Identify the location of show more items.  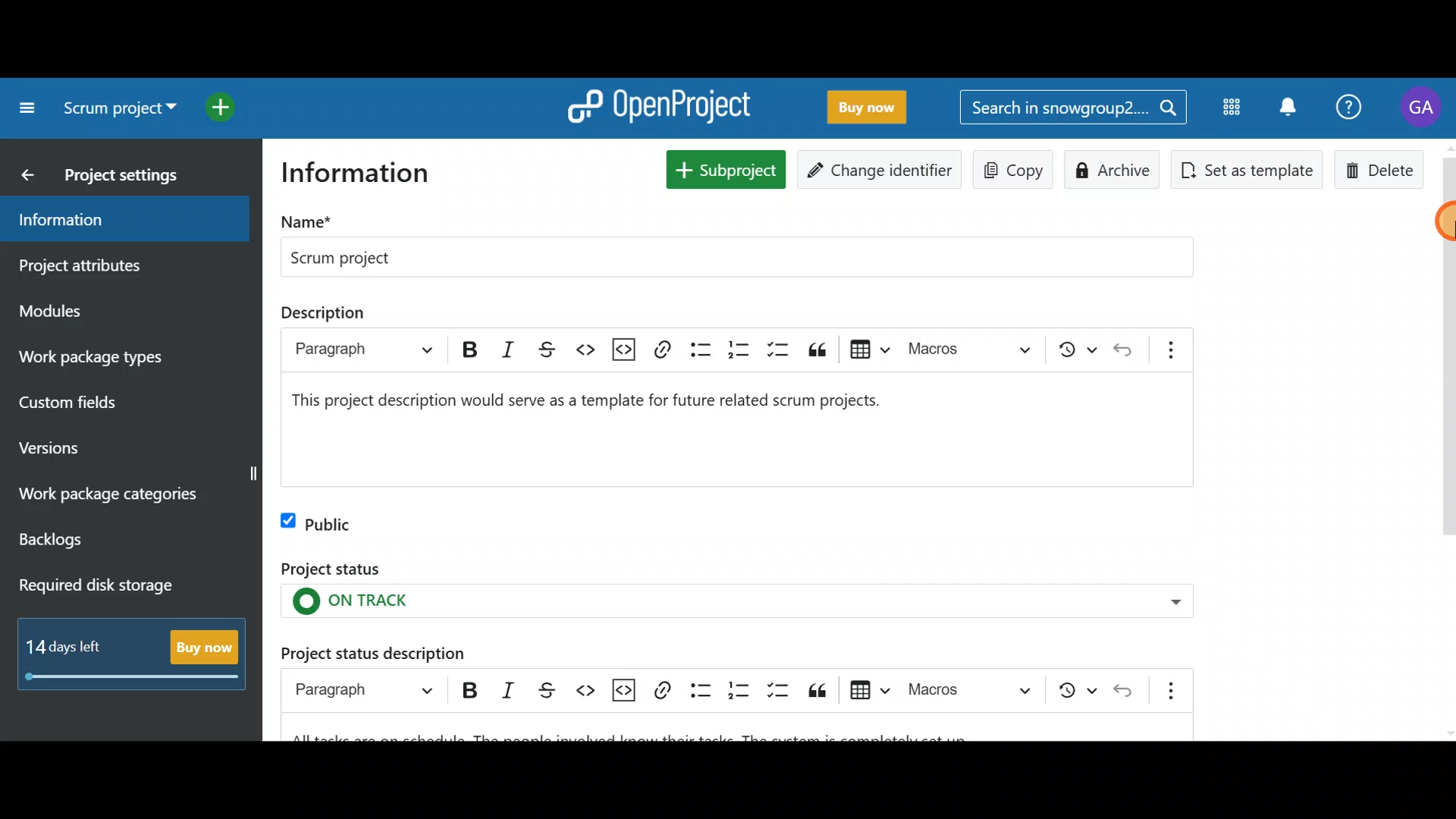
(1172, 350).